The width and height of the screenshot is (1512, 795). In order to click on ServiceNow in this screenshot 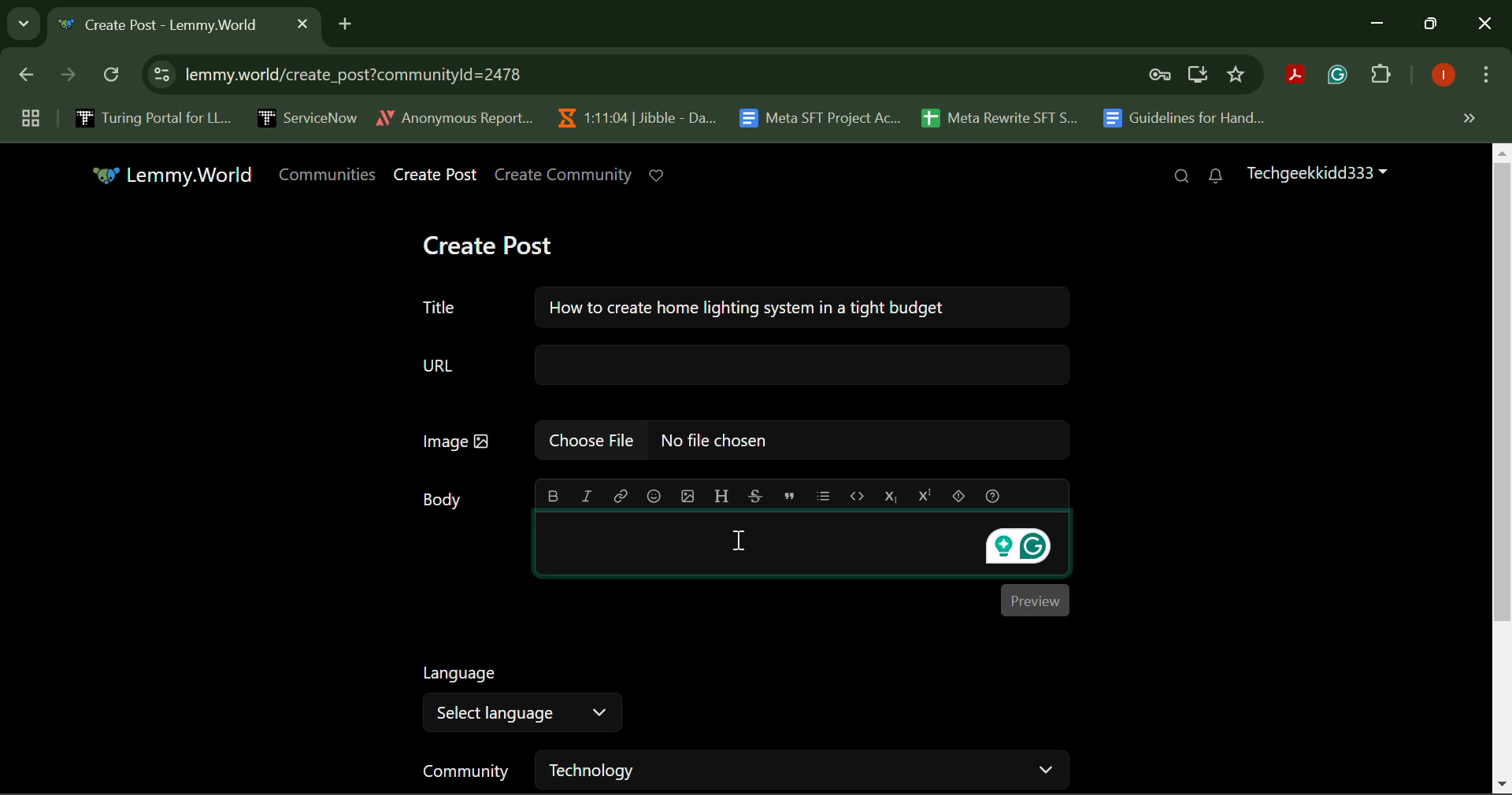, I will do `click(306, 116)`.